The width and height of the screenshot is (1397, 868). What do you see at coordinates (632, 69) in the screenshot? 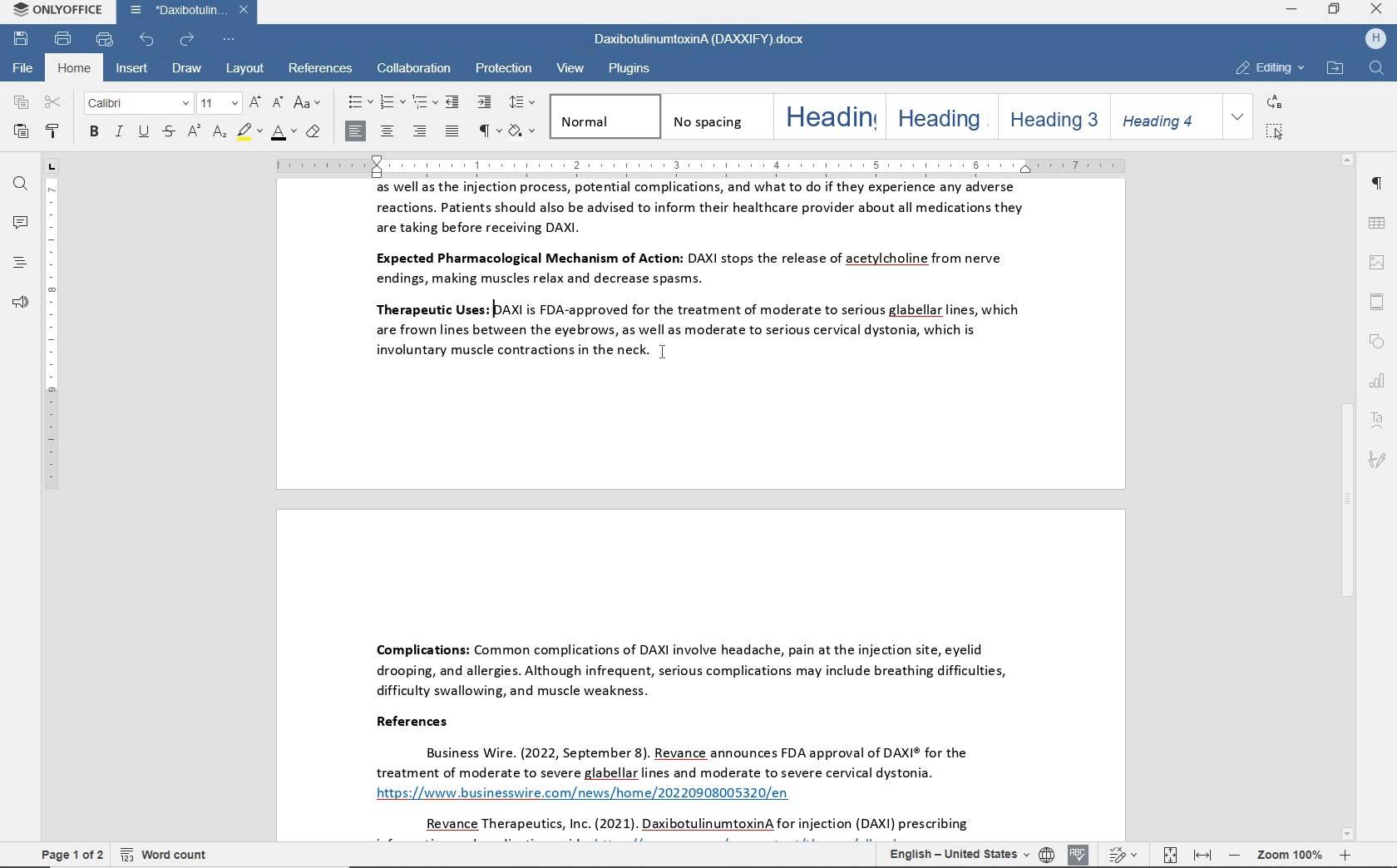
I see `plugins` at bounding box center [632, 69].